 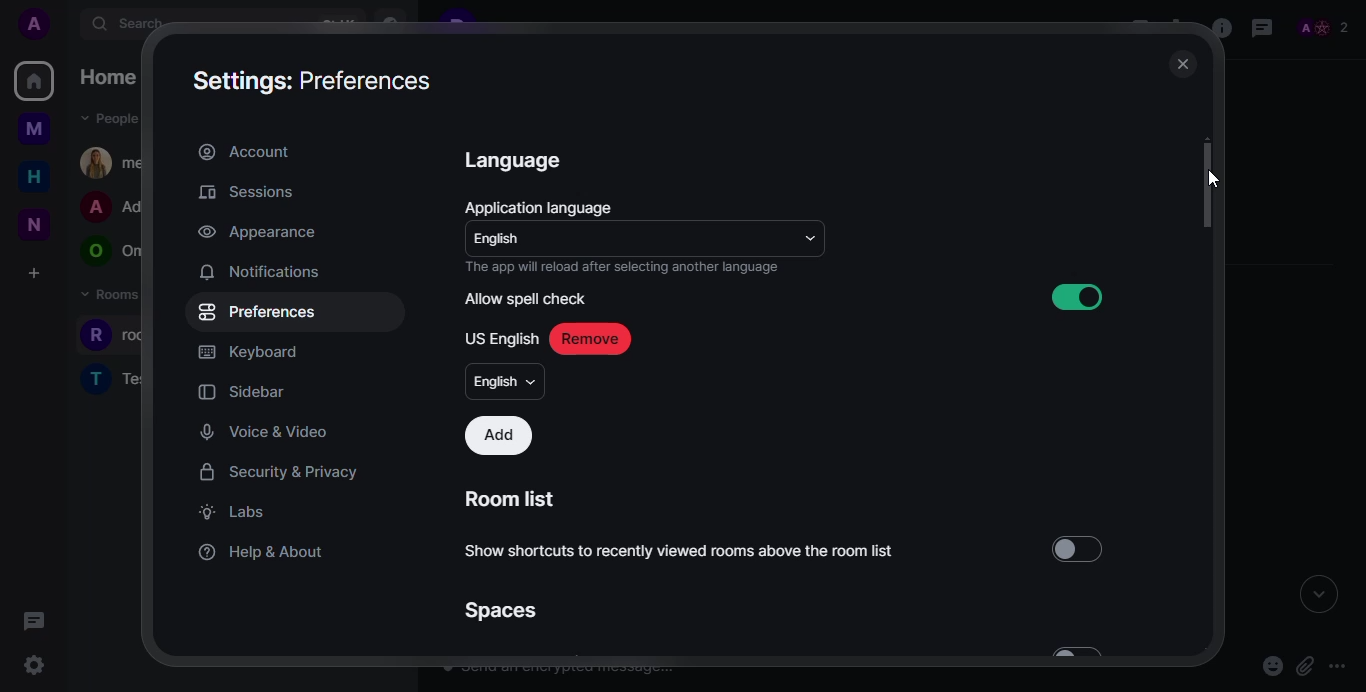 What do you see at coordinates (502, 240) in the screenshot?
I see `english` at bounding box center [502, 240].